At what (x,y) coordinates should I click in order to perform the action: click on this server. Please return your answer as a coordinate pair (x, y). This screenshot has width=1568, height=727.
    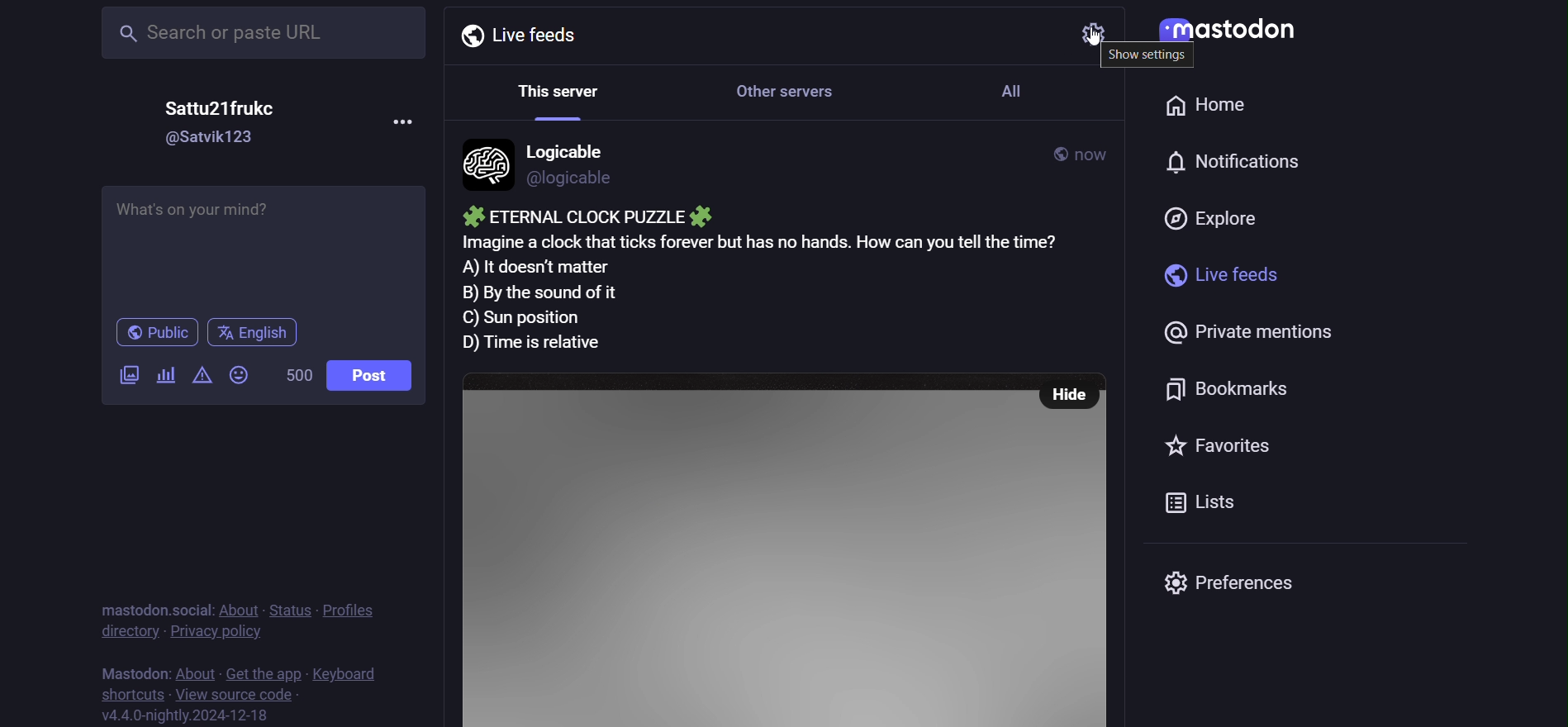
    Looking at the image, I should click on (551, 91).